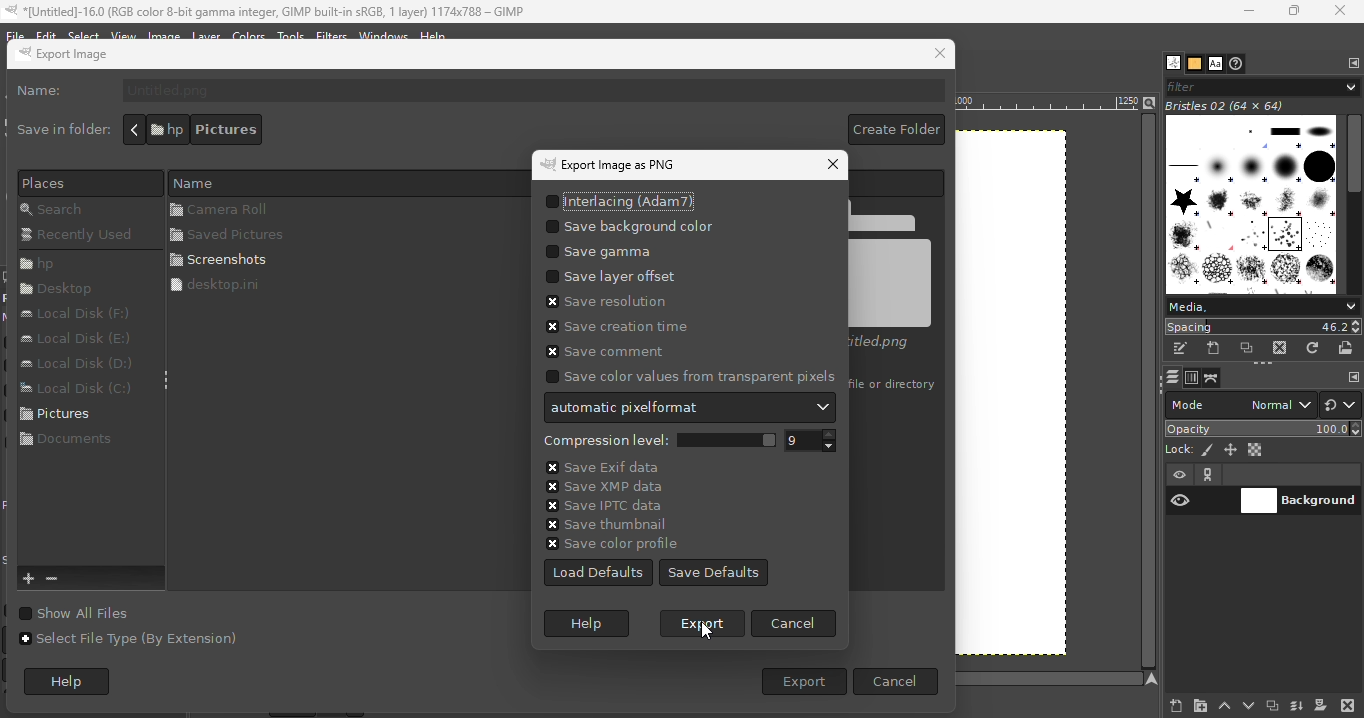 The height and width of the screenshot is (718, 1364). Describe the element at coordinates (601, 464) in the screenshot. I see `Save Exif data` at that location.